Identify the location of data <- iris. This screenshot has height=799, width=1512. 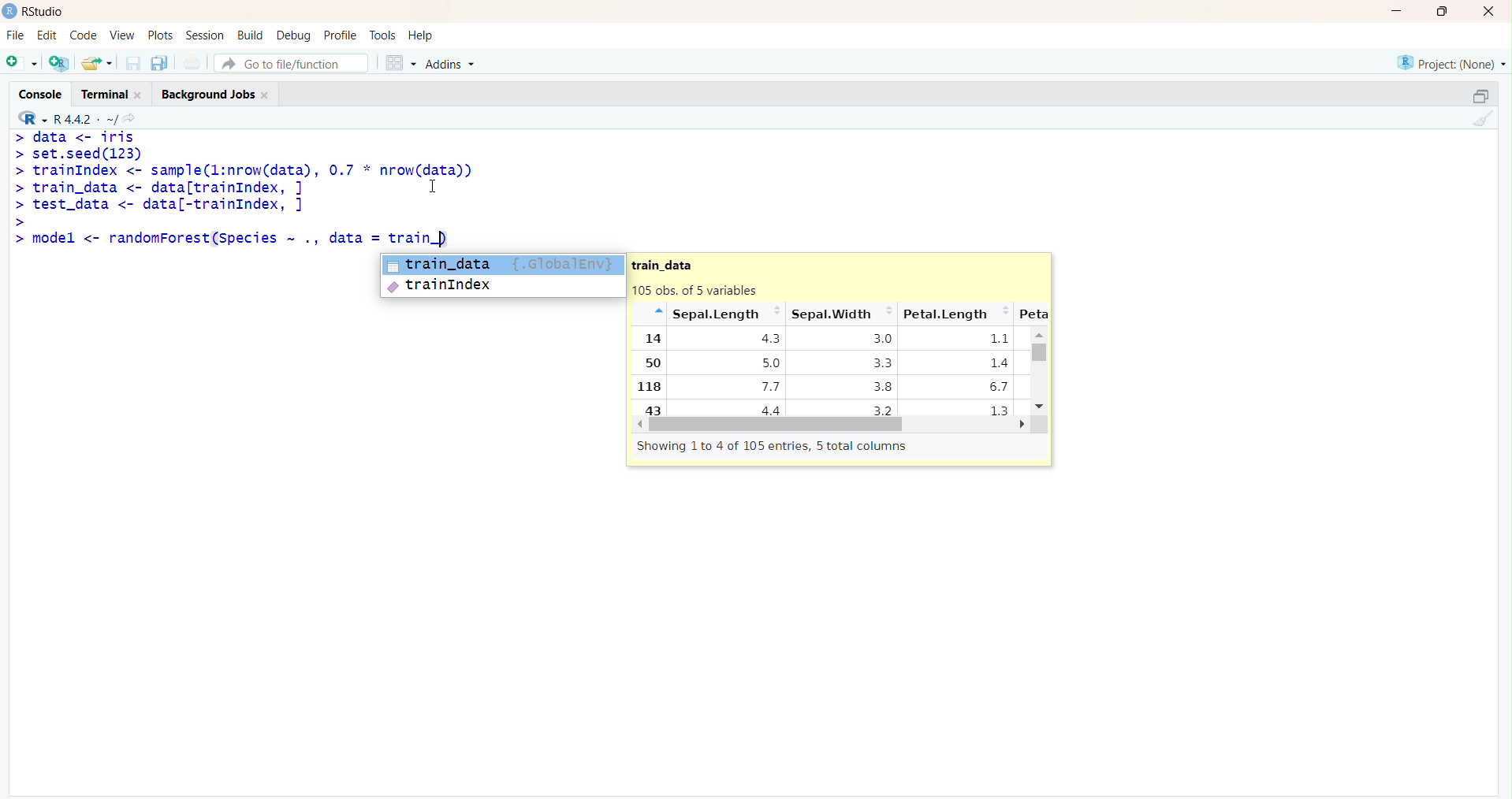
(85, 136).